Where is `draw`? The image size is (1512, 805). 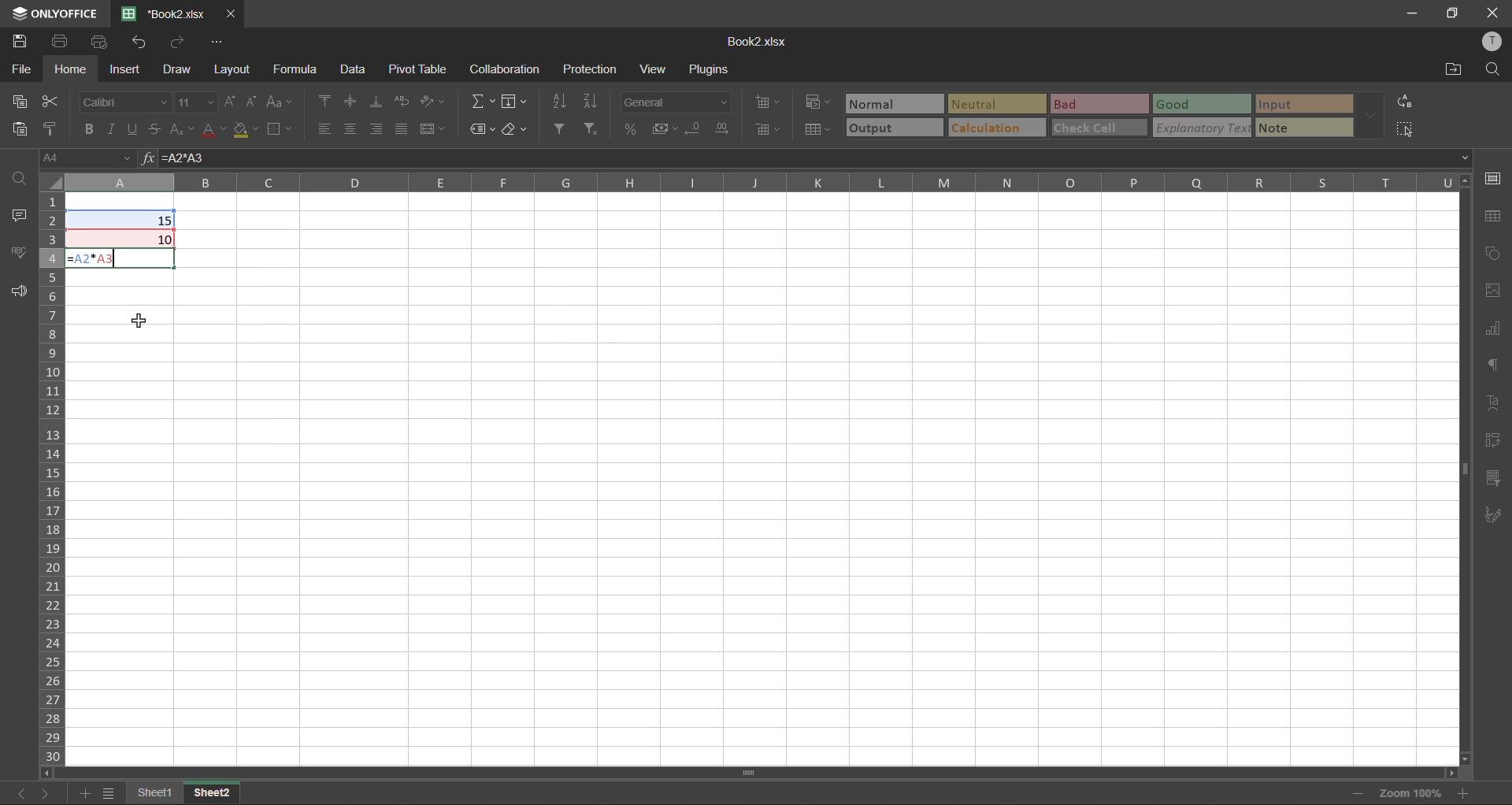 draw is located at coordinates (175, 69).